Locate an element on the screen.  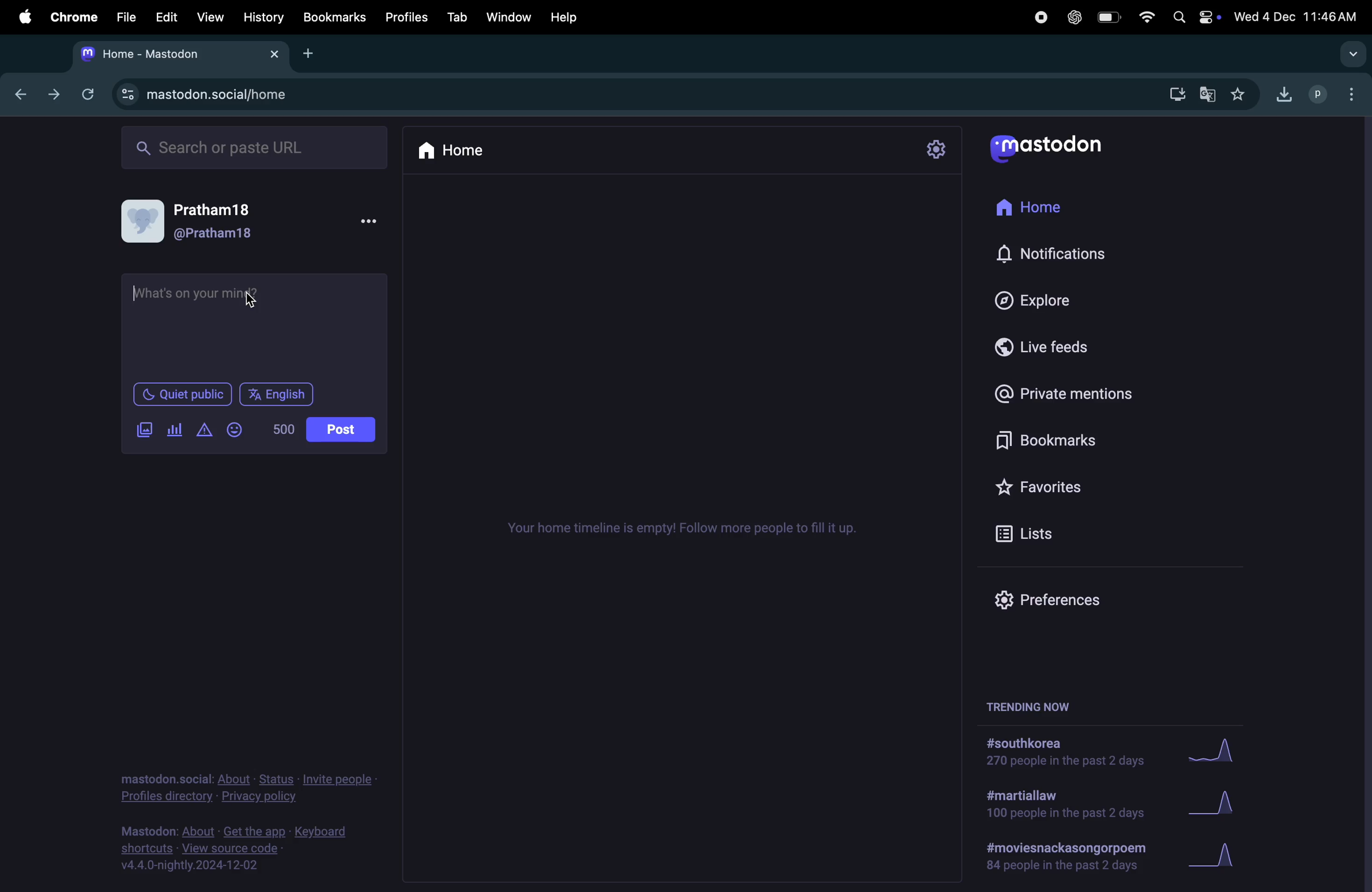
 is located at coordinates (1339, 52).